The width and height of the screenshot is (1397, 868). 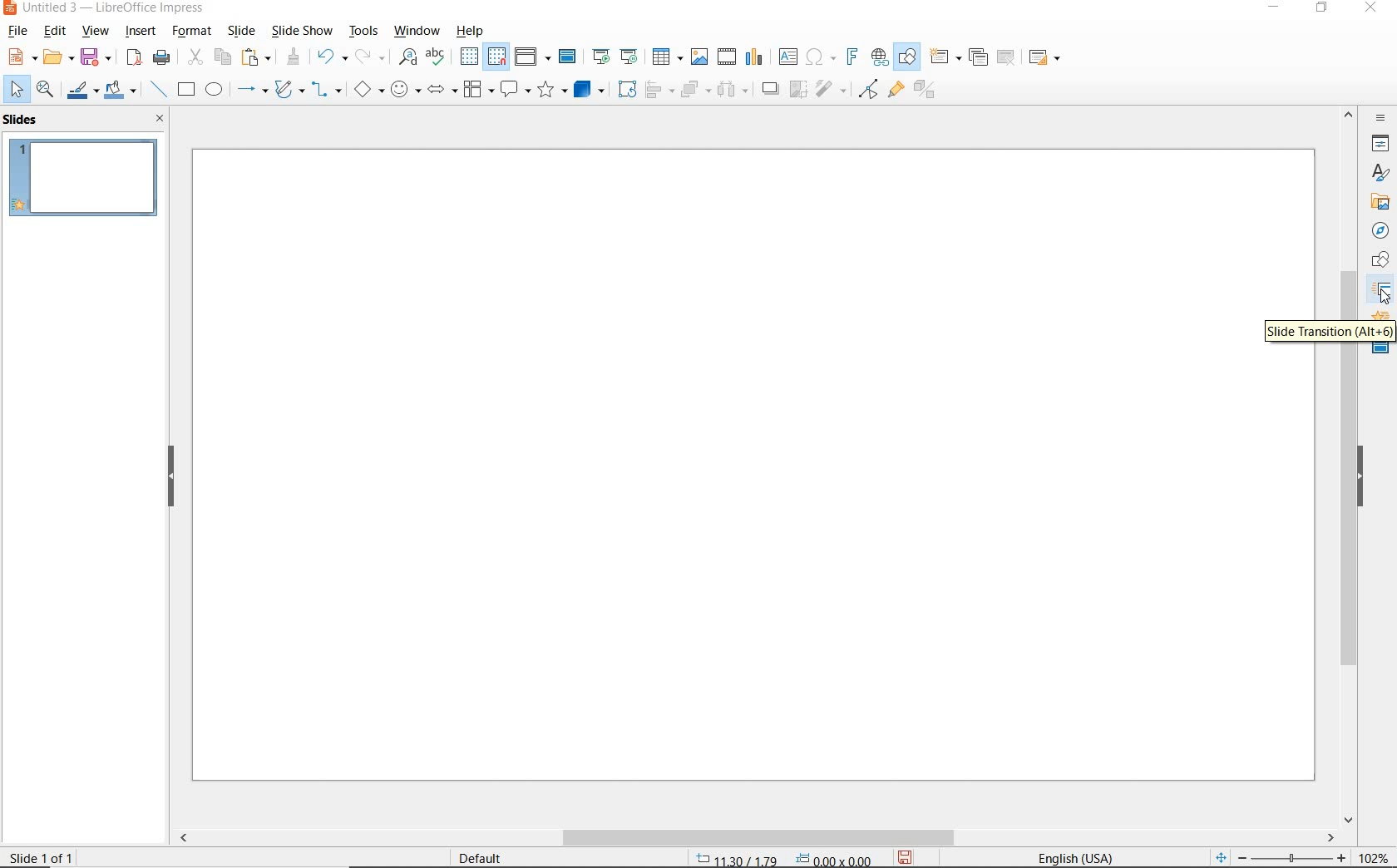 I want to click on SAVE, so click(x=96, y=56).